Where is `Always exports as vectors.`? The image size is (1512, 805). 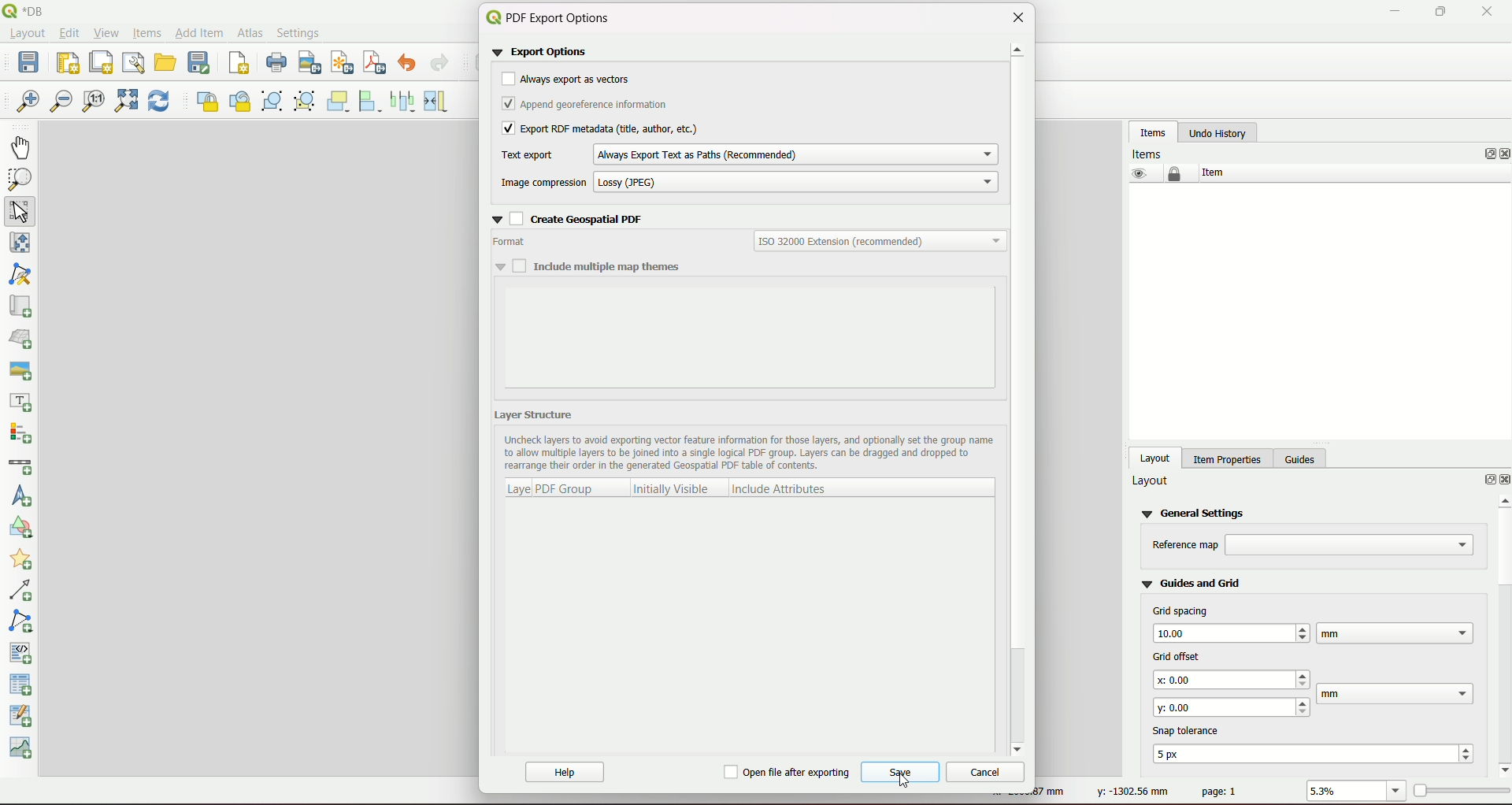
Always exports as vectors. is located at coordinates (578, 80).